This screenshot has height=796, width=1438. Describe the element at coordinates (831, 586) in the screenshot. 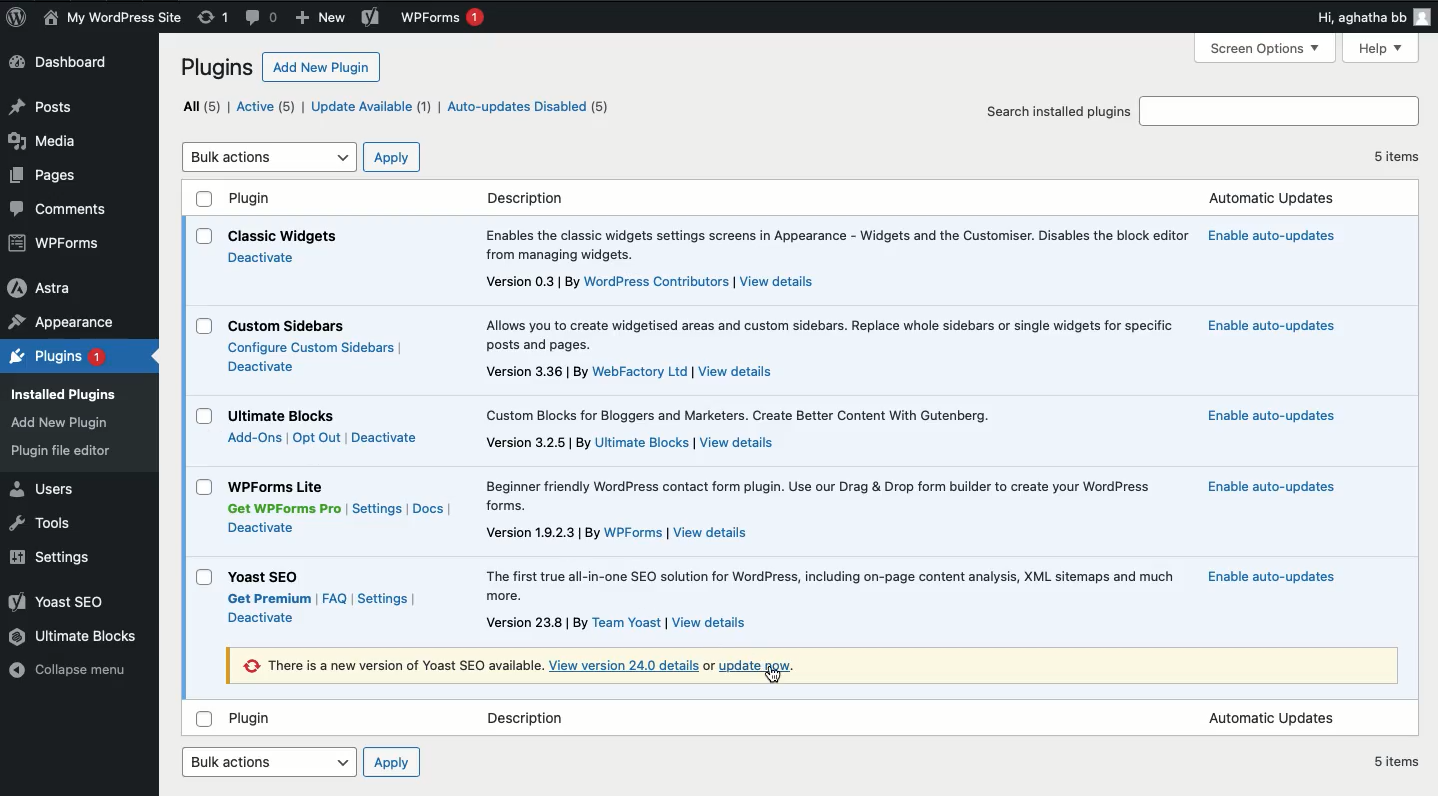

I see `Description` at that location.